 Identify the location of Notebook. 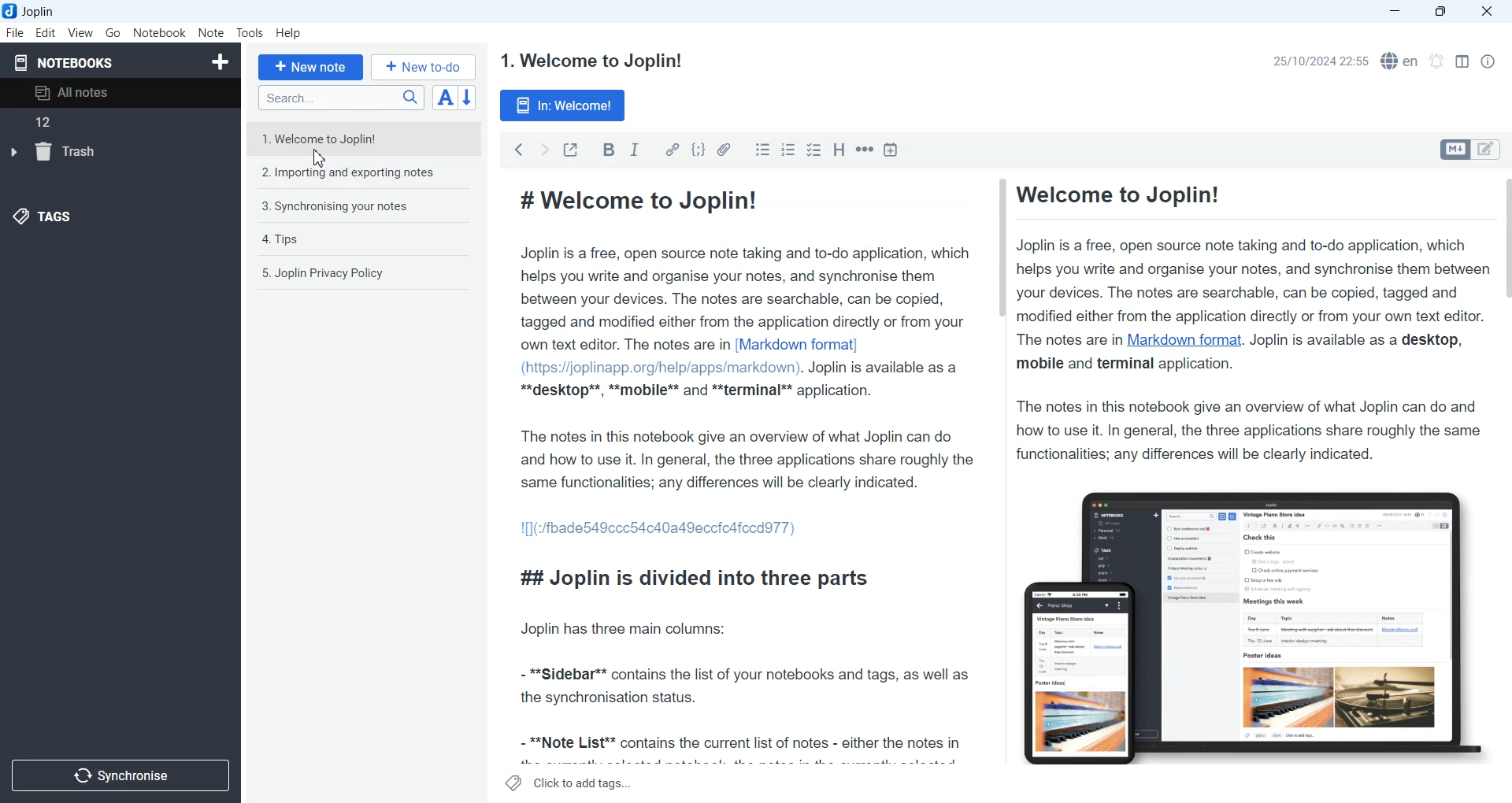
(160, 33).